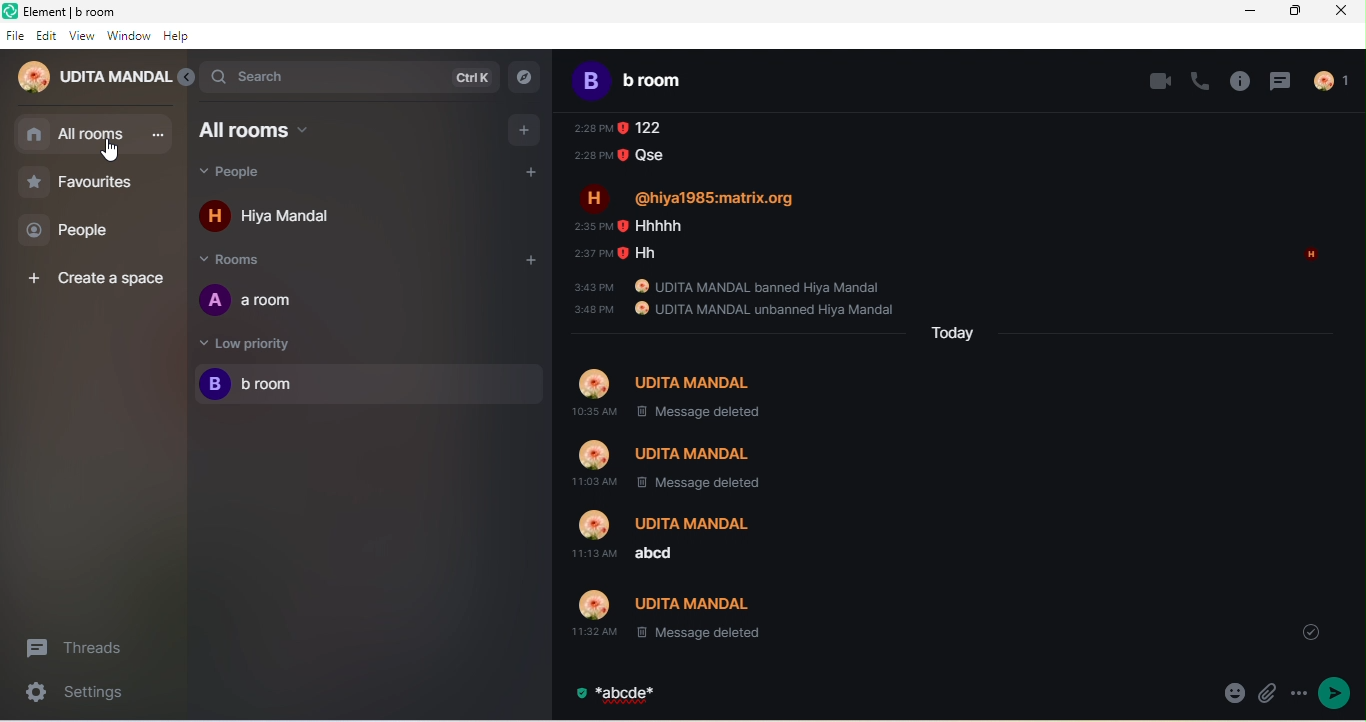  I want to click on people, so click(80, 230).